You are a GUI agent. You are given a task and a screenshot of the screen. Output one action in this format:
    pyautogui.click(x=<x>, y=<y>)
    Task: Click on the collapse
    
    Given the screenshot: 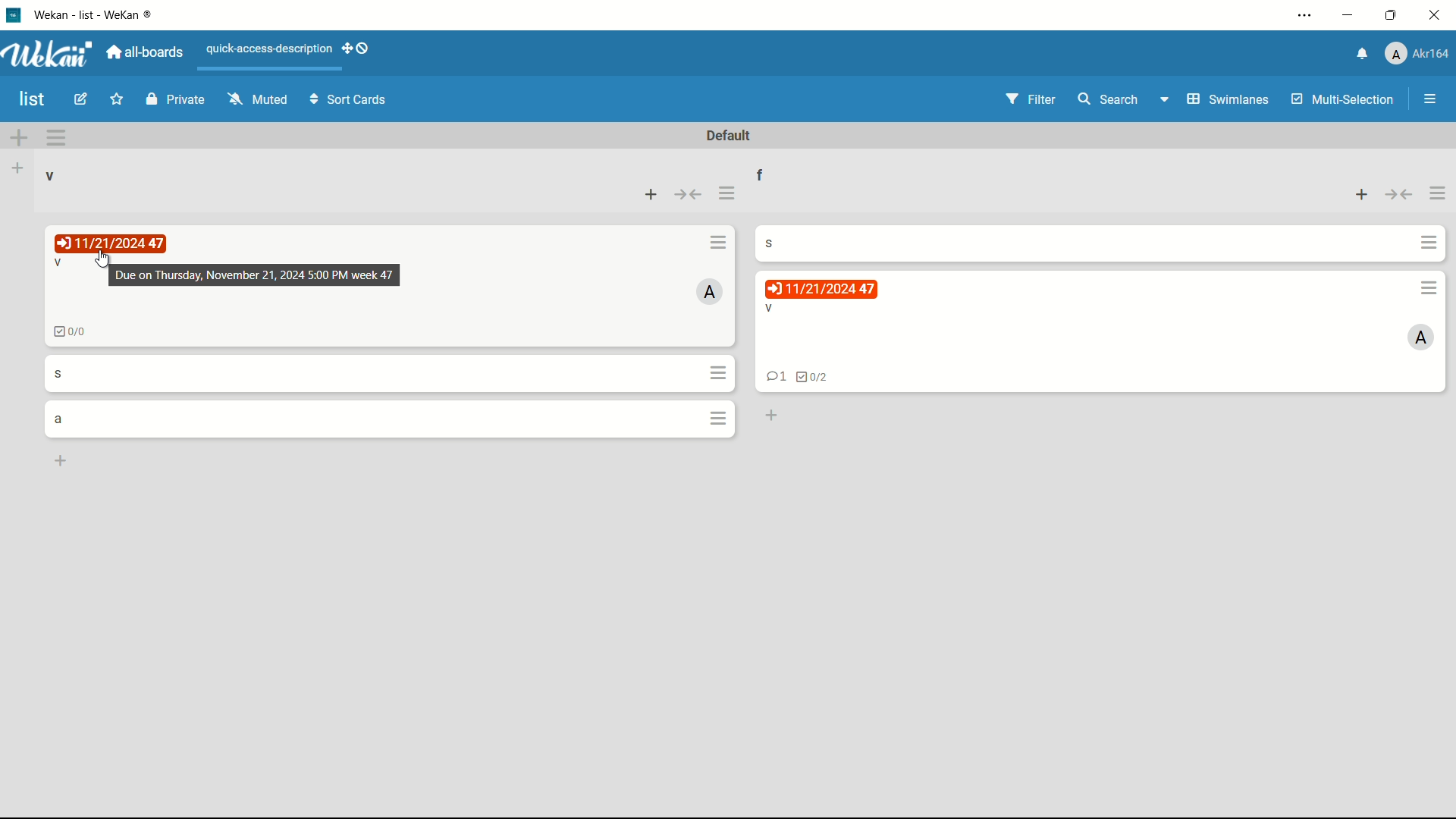 What is the action you would take?
    pyautogui.click(x=689, y=194)
    